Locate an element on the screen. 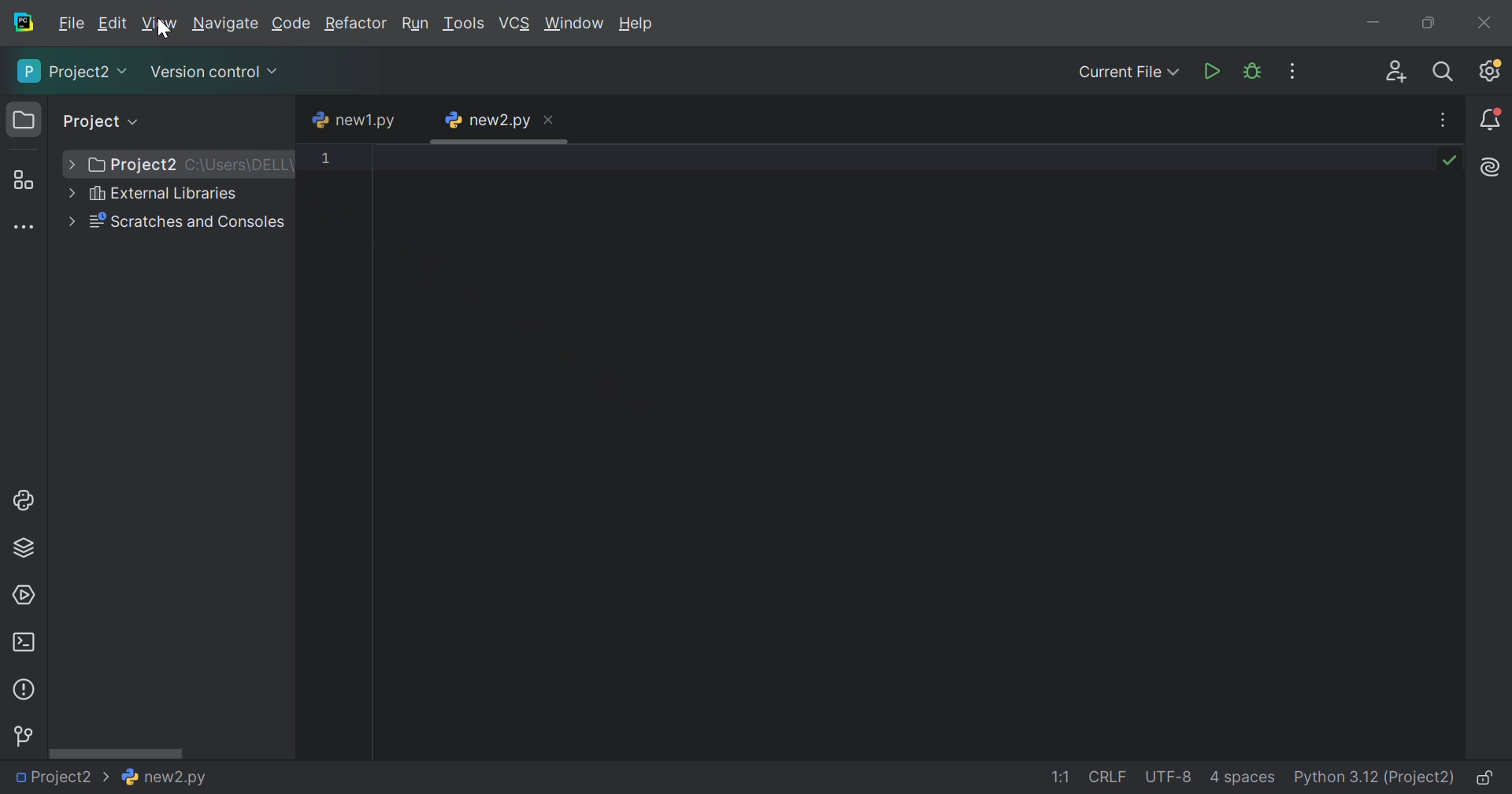  CRLF is located at coordinates (1109, 777).